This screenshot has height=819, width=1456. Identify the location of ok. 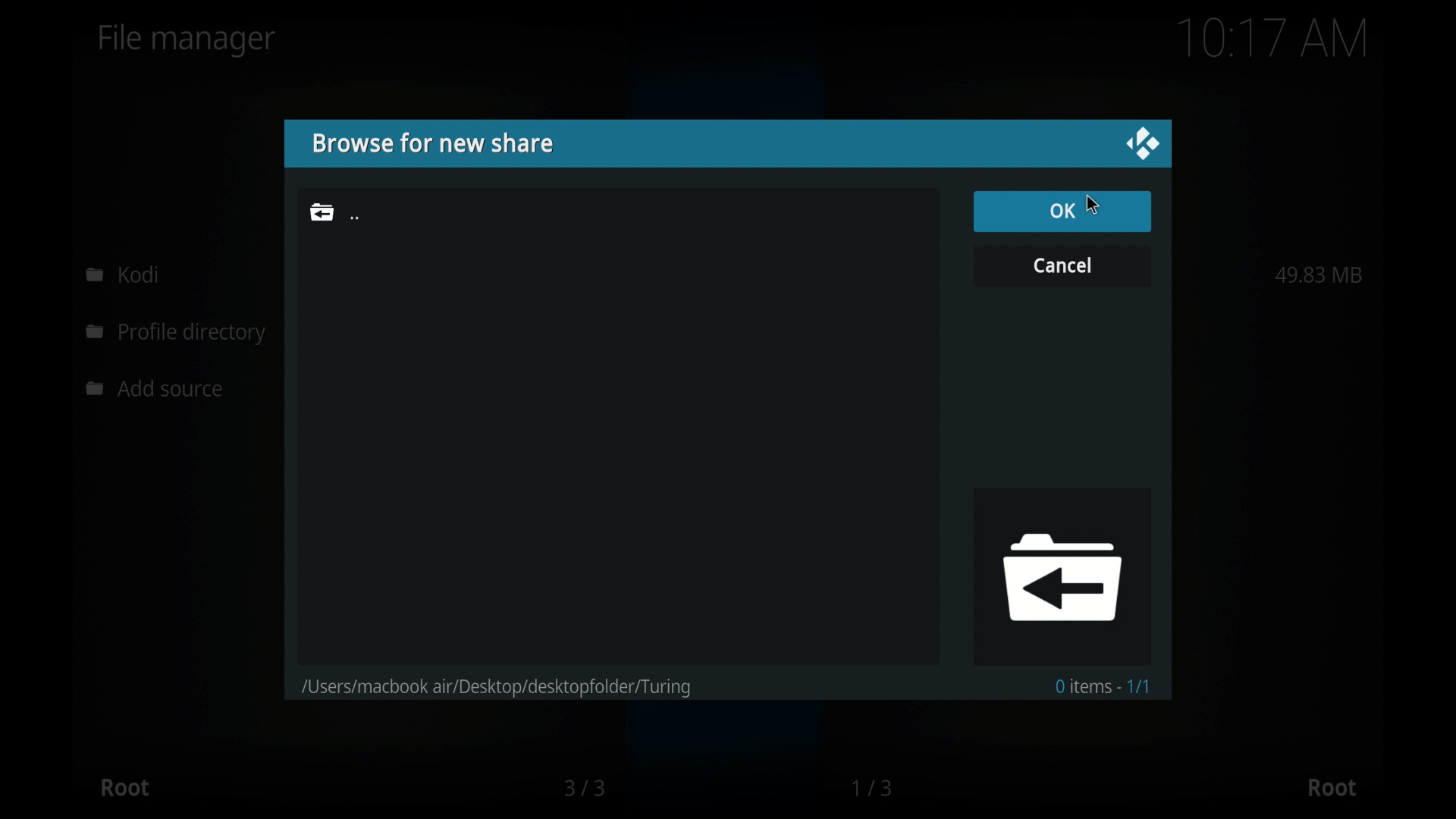
(1062, 210).